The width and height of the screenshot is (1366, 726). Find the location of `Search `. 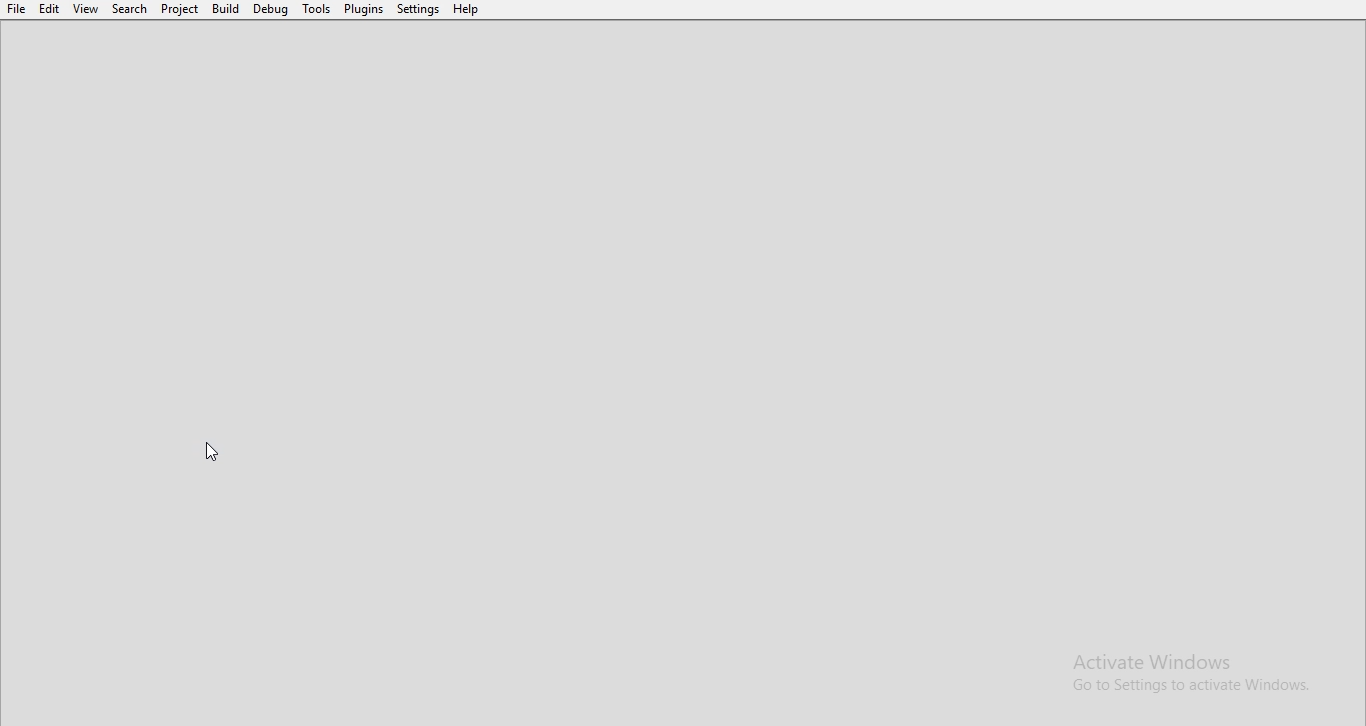

Search  is located at coordinates (130, 9).